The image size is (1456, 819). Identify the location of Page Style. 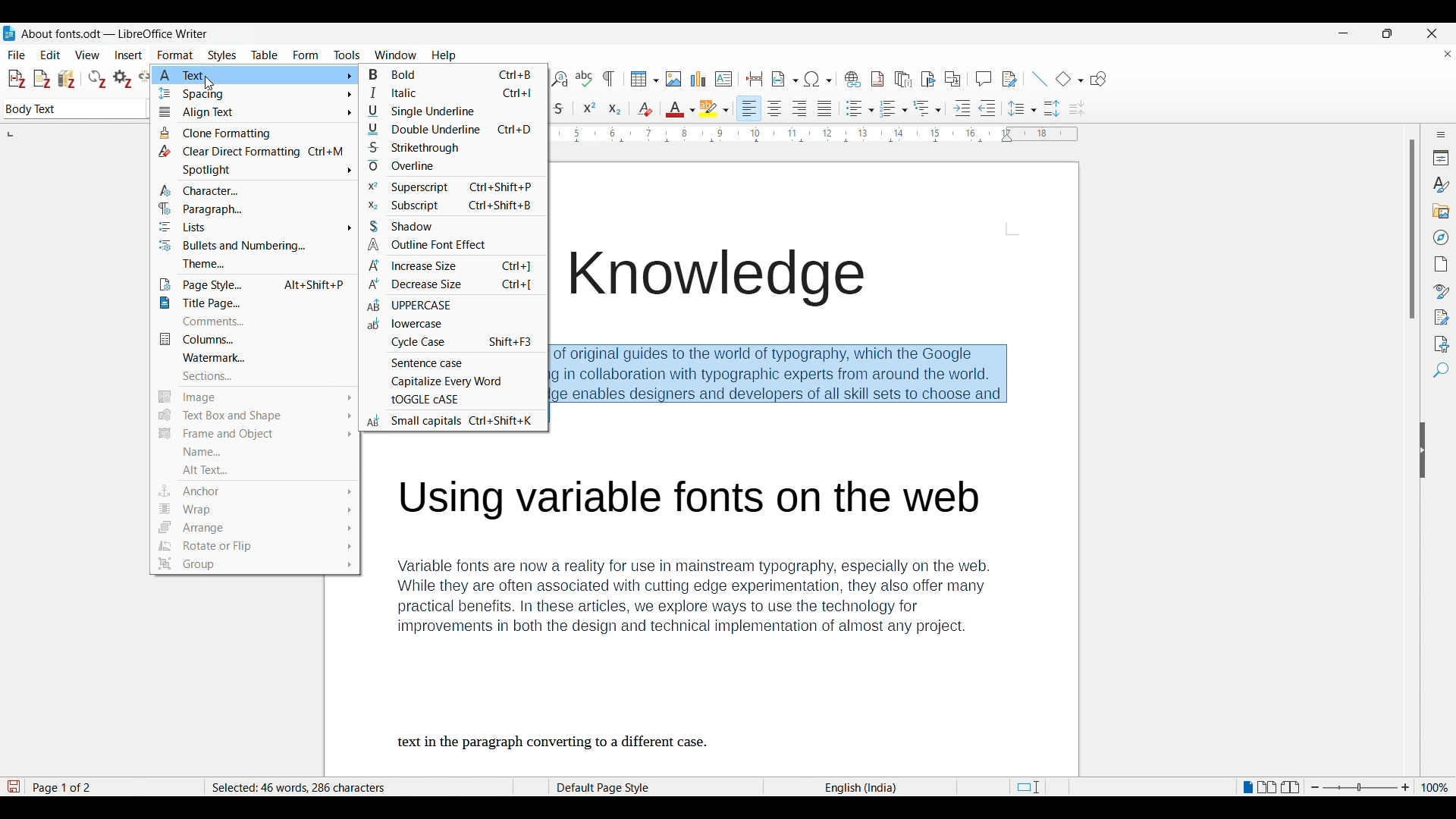
(253, 284).